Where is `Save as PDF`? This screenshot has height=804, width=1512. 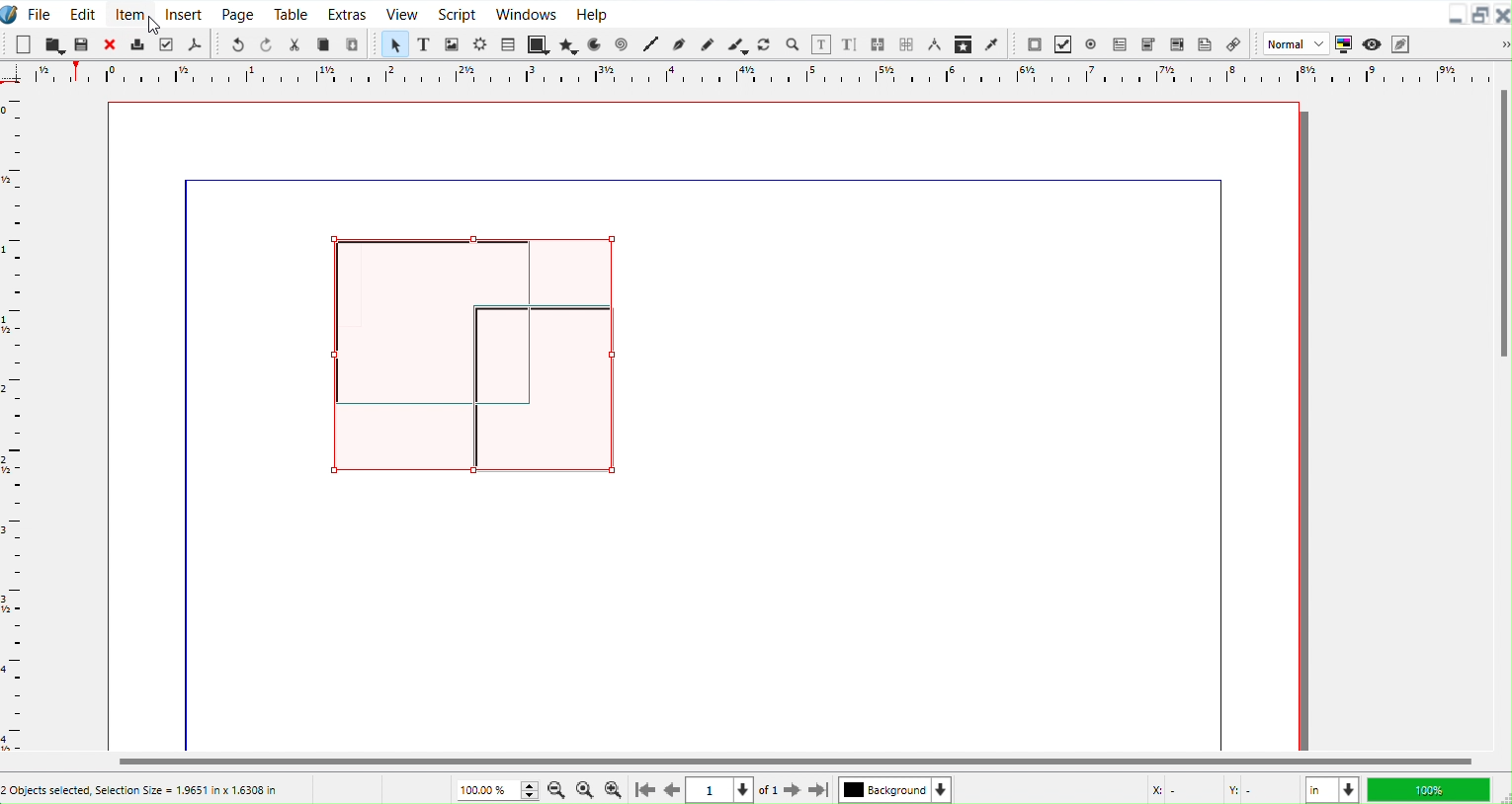
Save as PDF is located at coordinates (195, 43).